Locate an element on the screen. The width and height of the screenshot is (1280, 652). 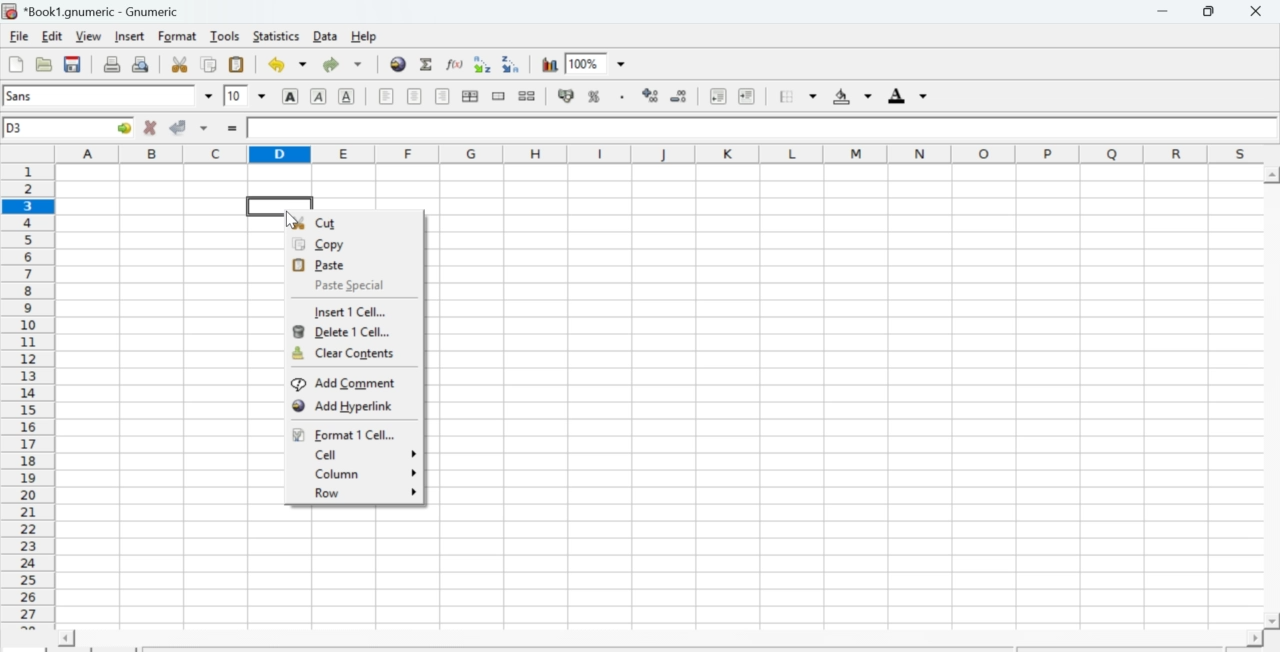
Font Size is located at coordinates (244, 95).